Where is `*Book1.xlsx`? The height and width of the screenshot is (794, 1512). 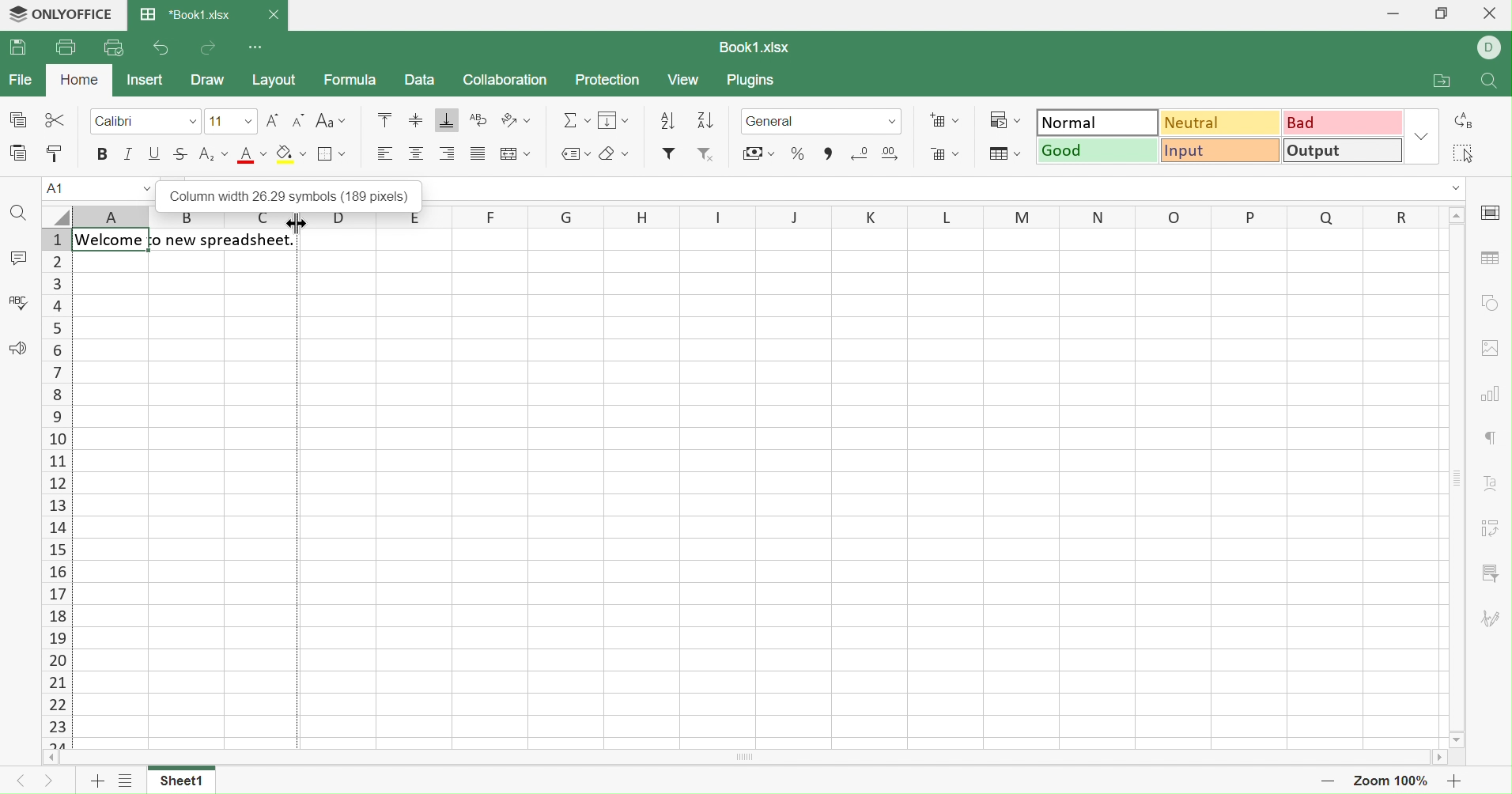
*Book1.xlsx is located at coordinates (187, 15).